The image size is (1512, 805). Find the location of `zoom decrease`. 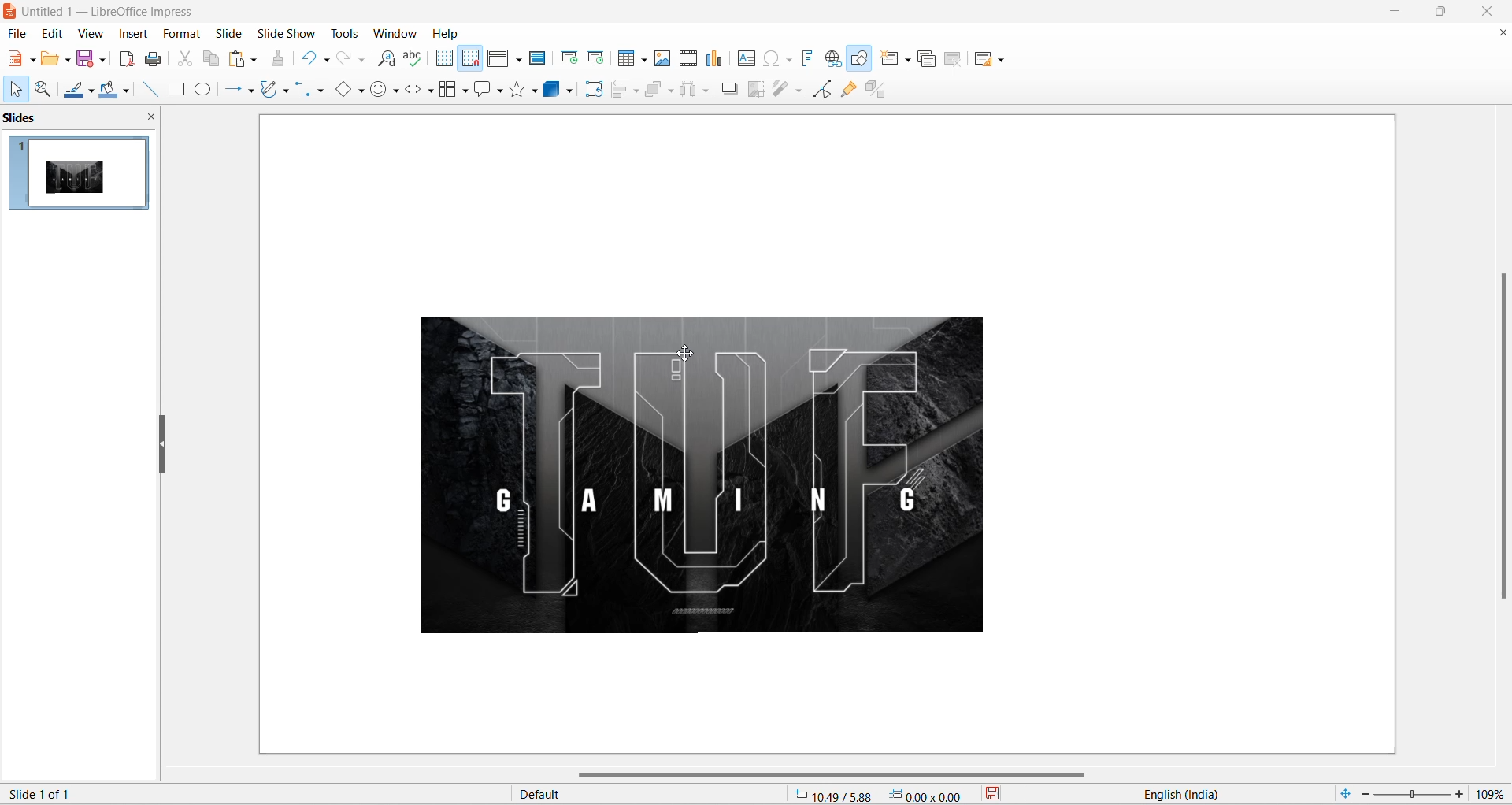

zoom decrease is located at coordinates (1363, 796).